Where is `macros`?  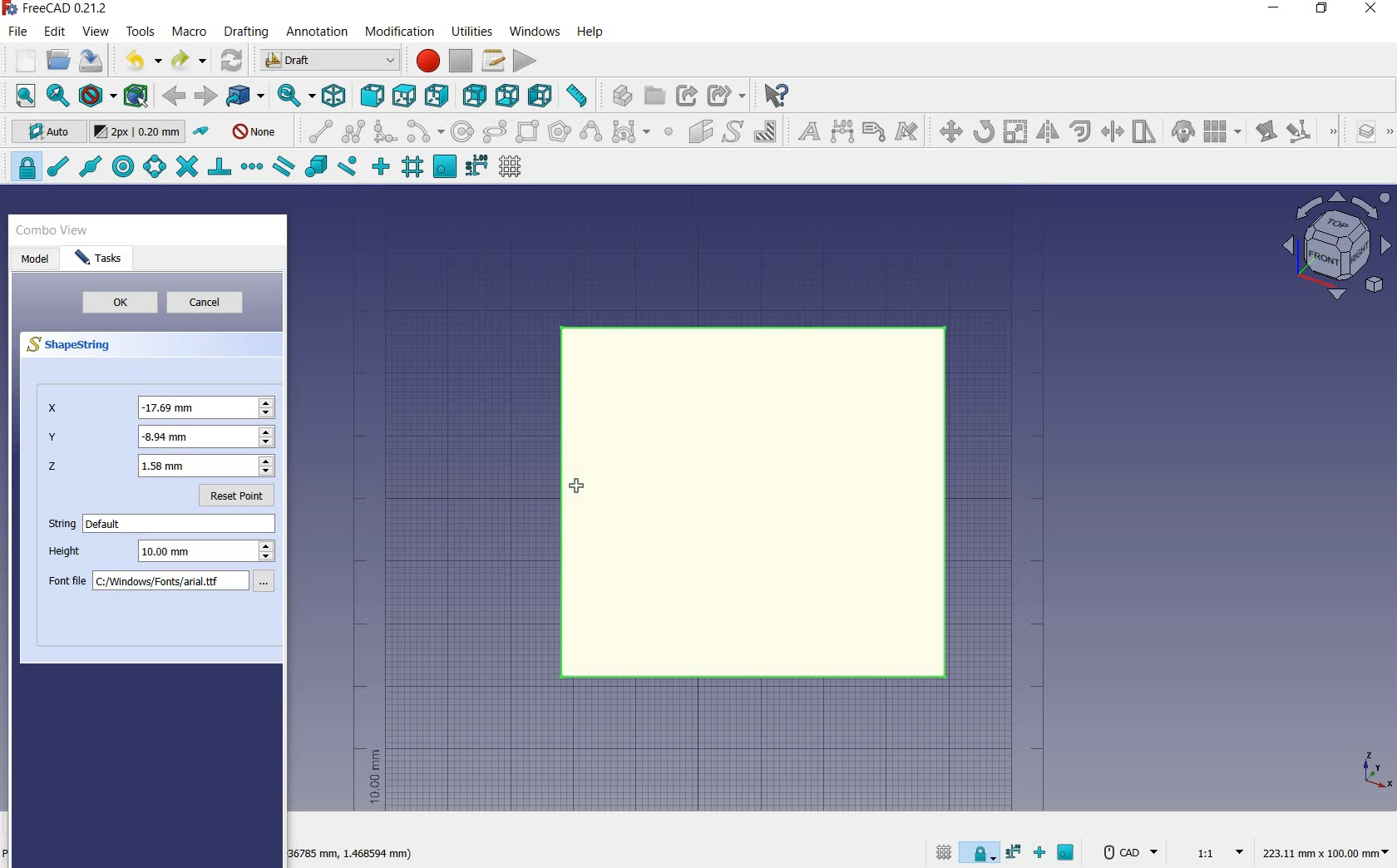
macros is located at coordinates (494, 61).